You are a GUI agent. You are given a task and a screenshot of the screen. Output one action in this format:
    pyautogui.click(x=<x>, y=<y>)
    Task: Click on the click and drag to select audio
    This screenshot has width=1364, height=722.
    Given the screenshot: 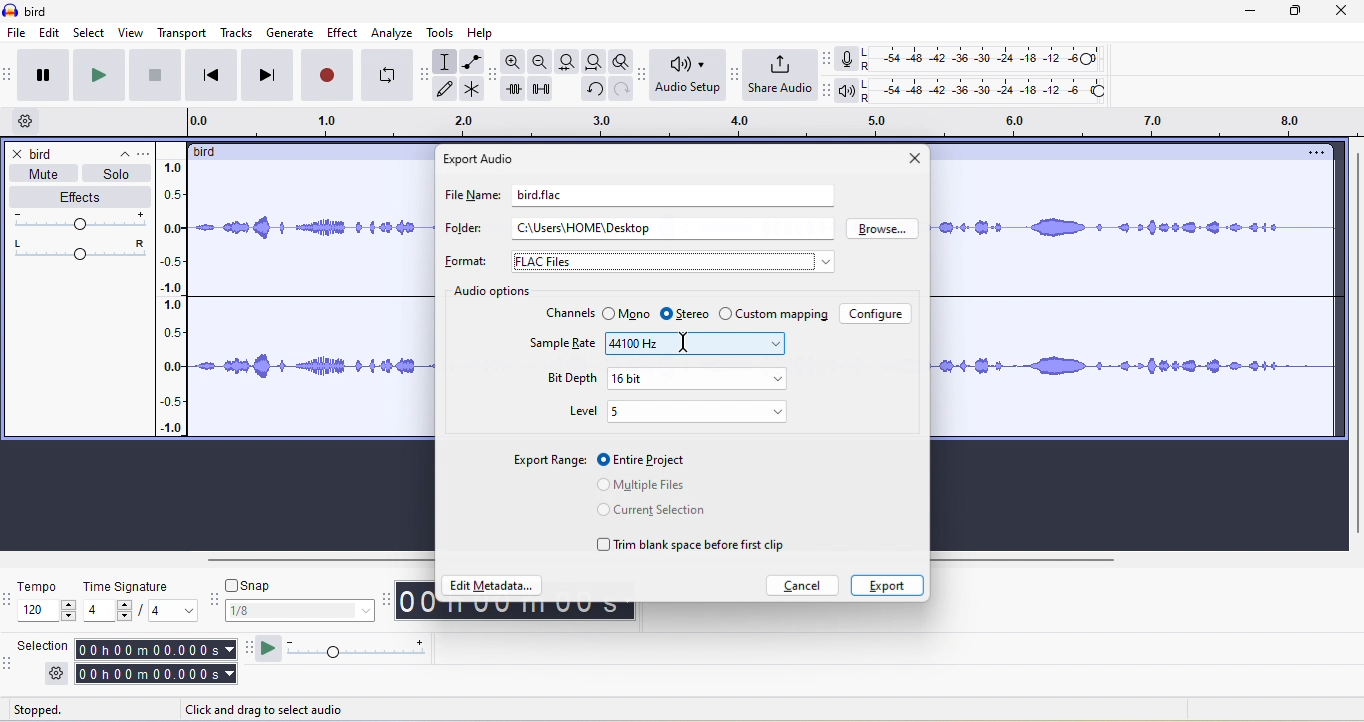 What is the action you would take?
    pyautogui.click(x=282, y=707)
    